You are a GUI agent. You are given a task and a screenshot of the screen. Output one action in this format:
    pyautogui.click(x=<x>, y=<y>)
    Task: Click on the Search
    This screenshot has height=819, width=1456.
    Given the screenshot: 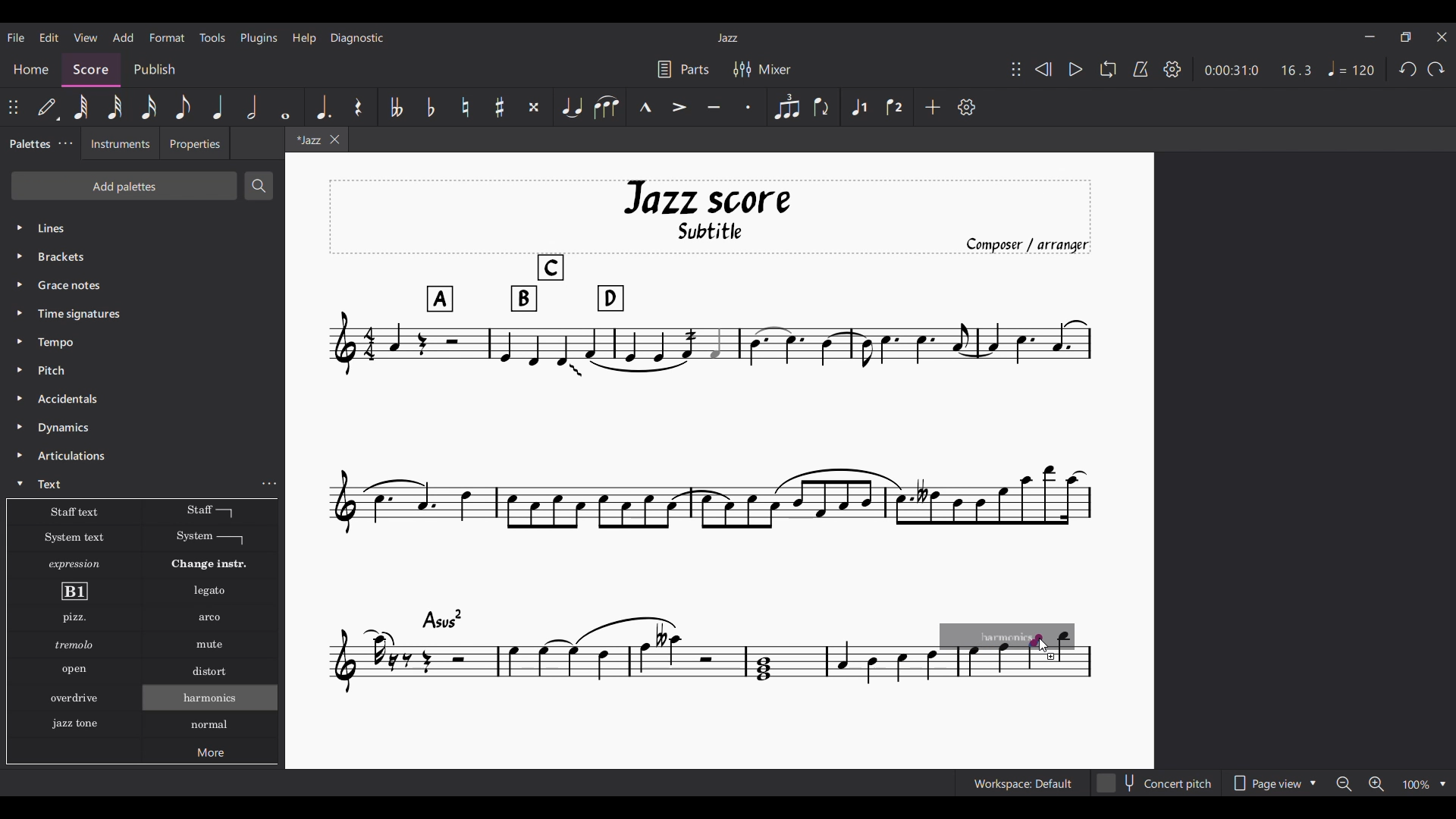 What is the action you would take?
    pyautogui.click(x=260, y=186)
    